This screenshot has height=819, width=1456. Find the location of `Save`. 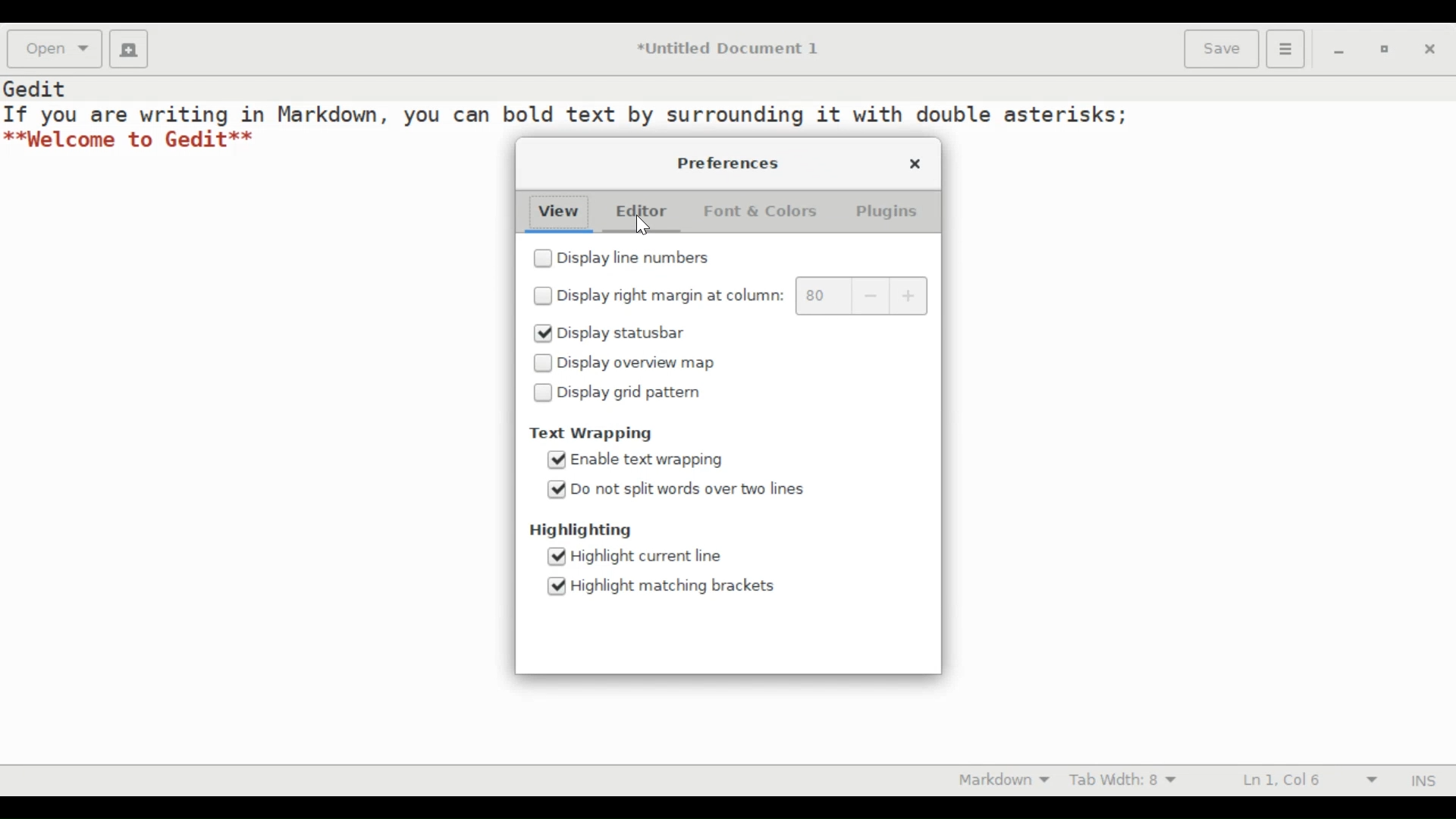

Save is located at coordinates (1222, 49).